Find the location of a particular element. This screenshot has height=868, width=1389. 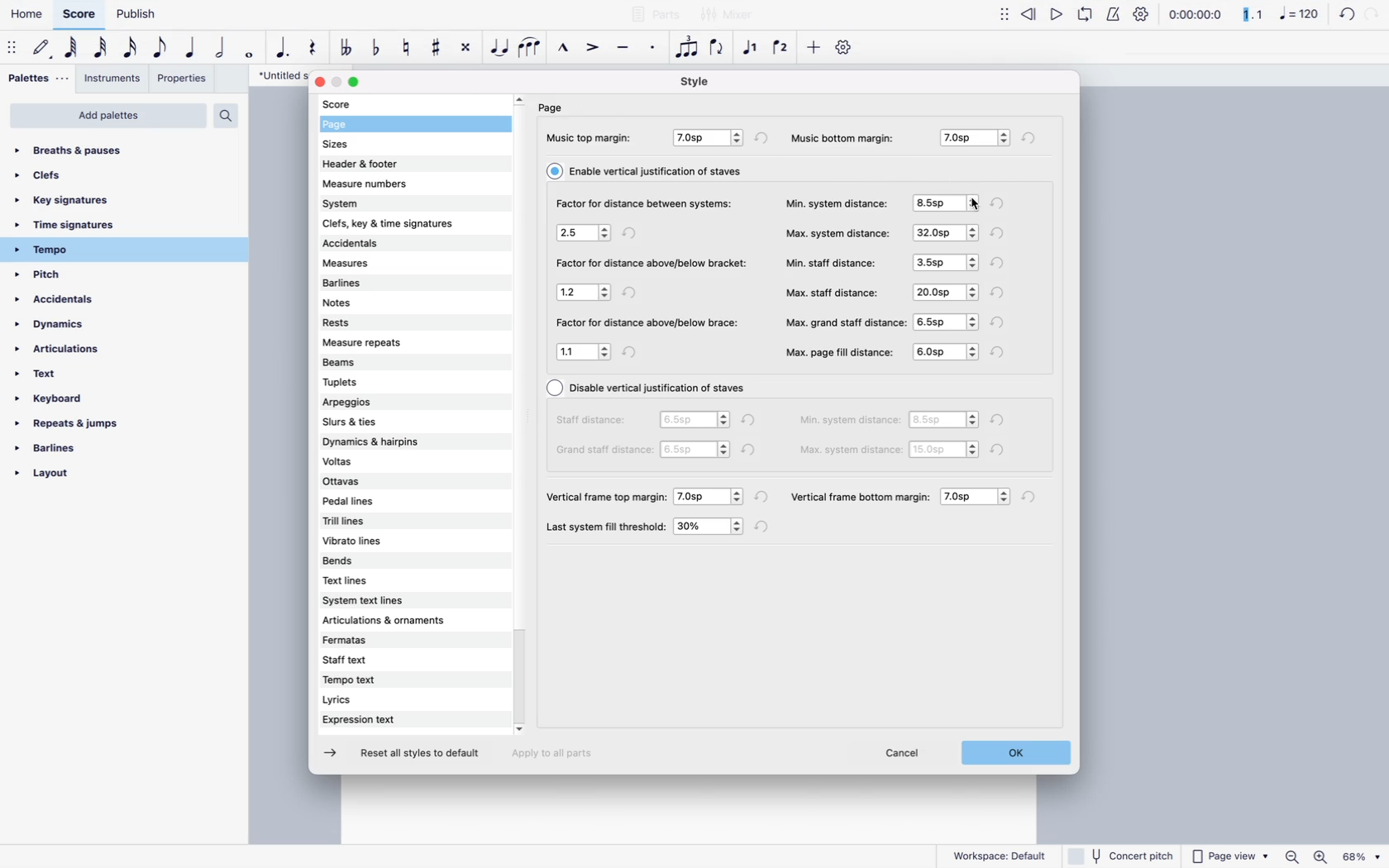

page is located at coordinates (554, 107).